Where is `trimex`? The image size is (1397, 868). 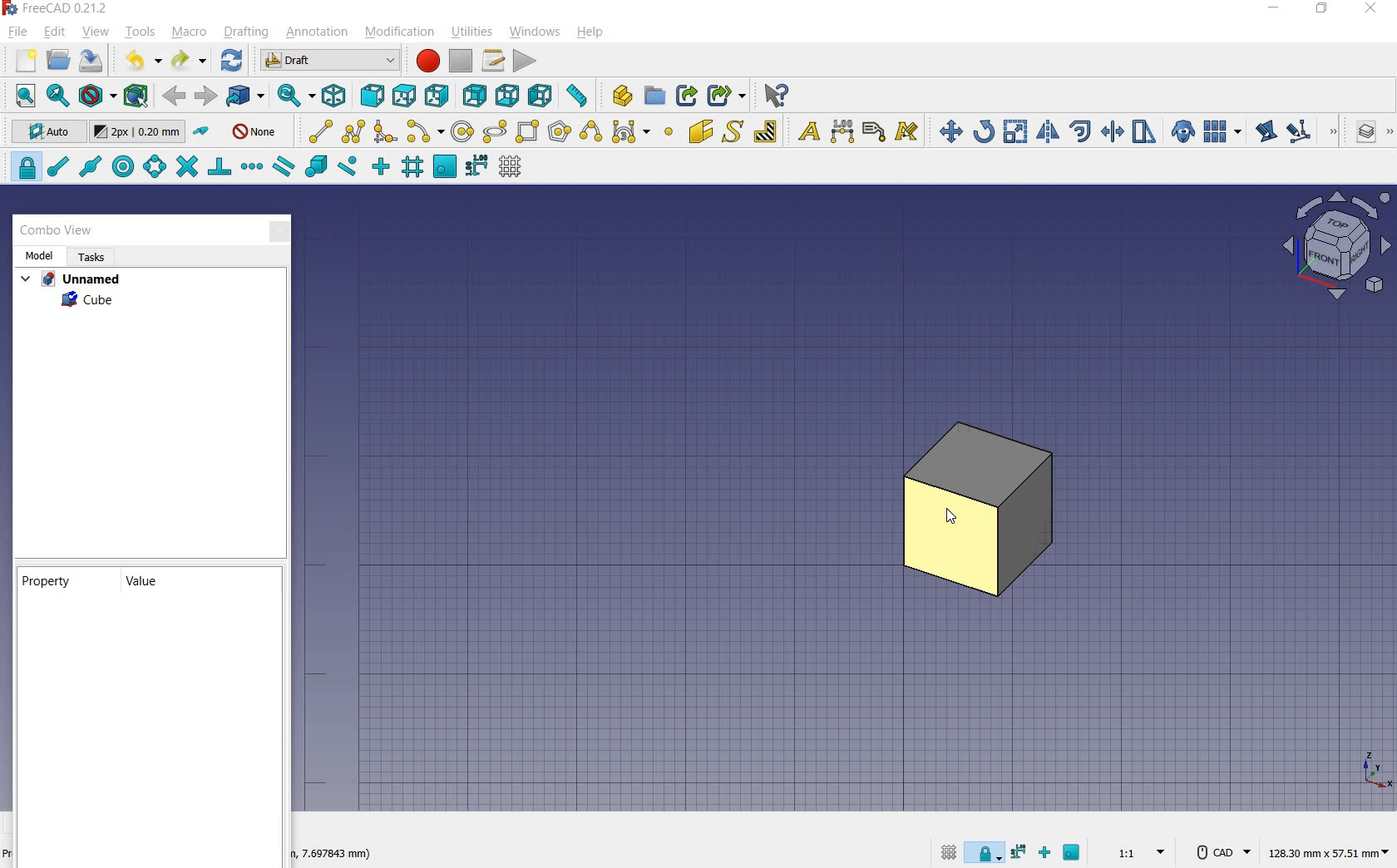 trimex is located at coordinates (1112, 131).